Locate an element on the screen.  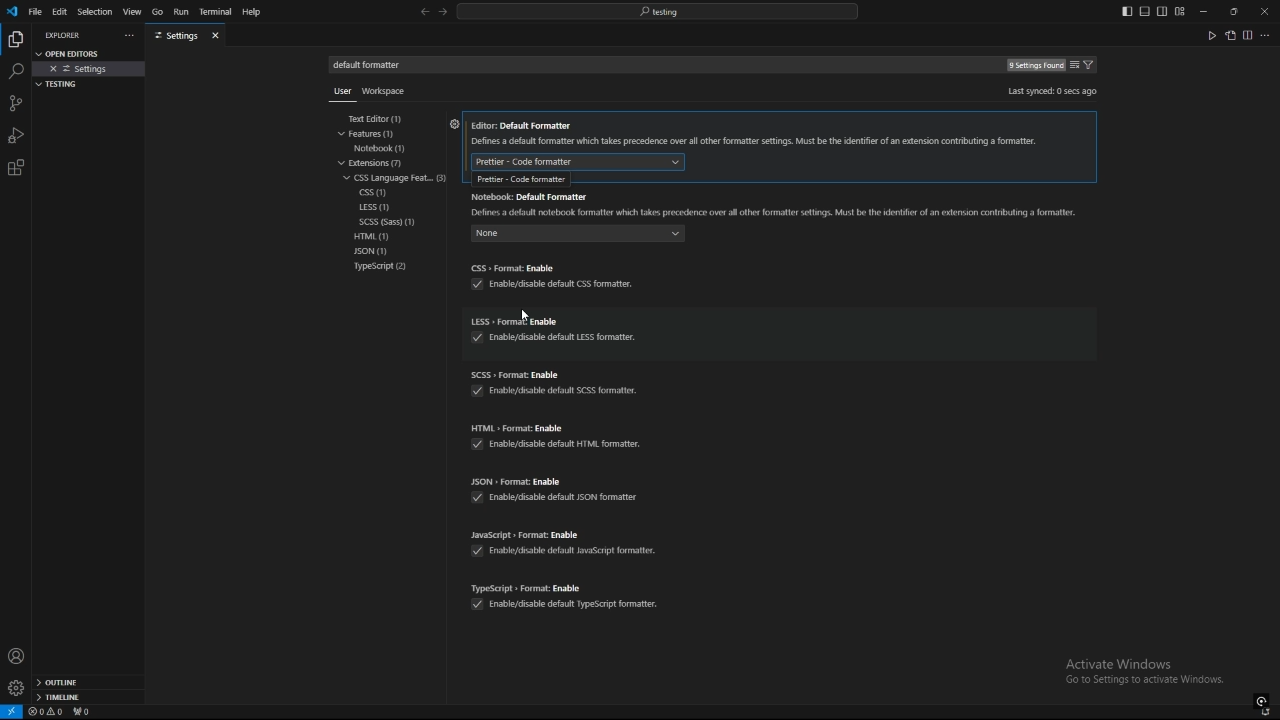
 is located at coordinates (338, 95).